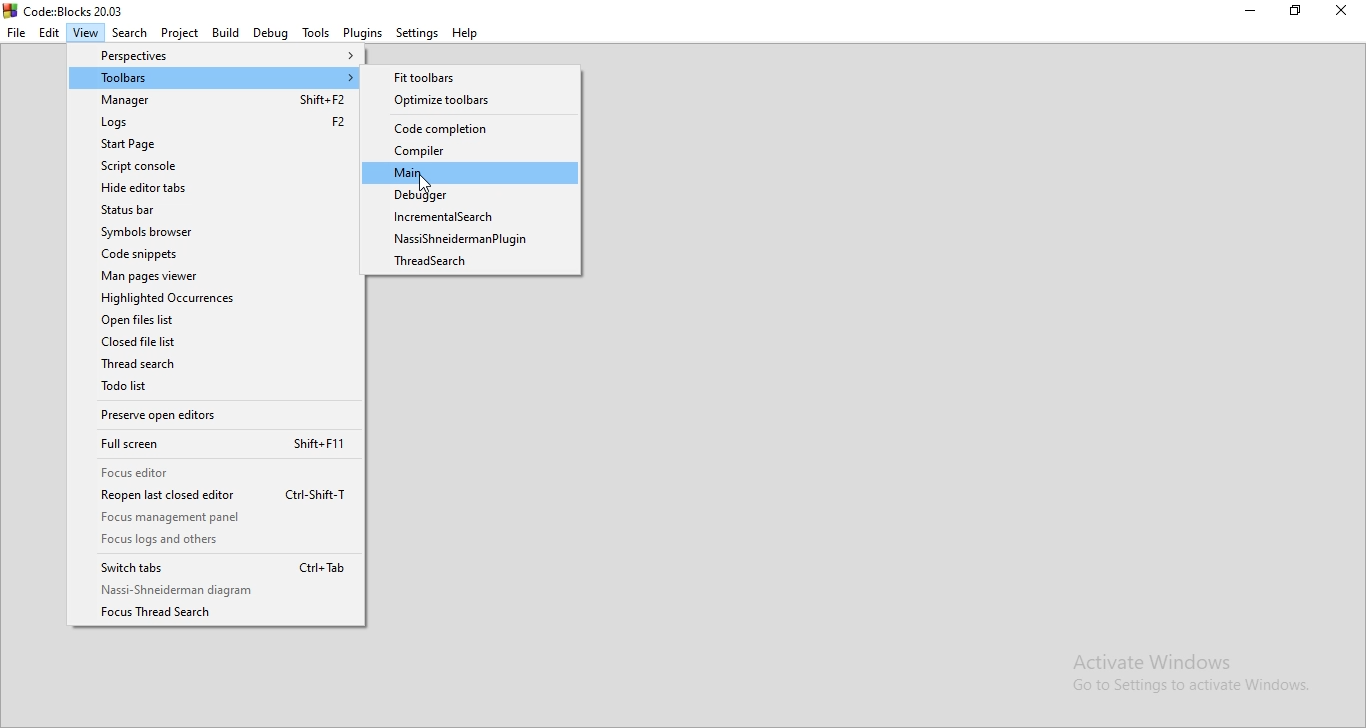 This screenshot has width=1366, height=728. What do you see at coordinates (216, 57) in the screenshot?
I see `Perspectives` at bounding box center [216, 57].